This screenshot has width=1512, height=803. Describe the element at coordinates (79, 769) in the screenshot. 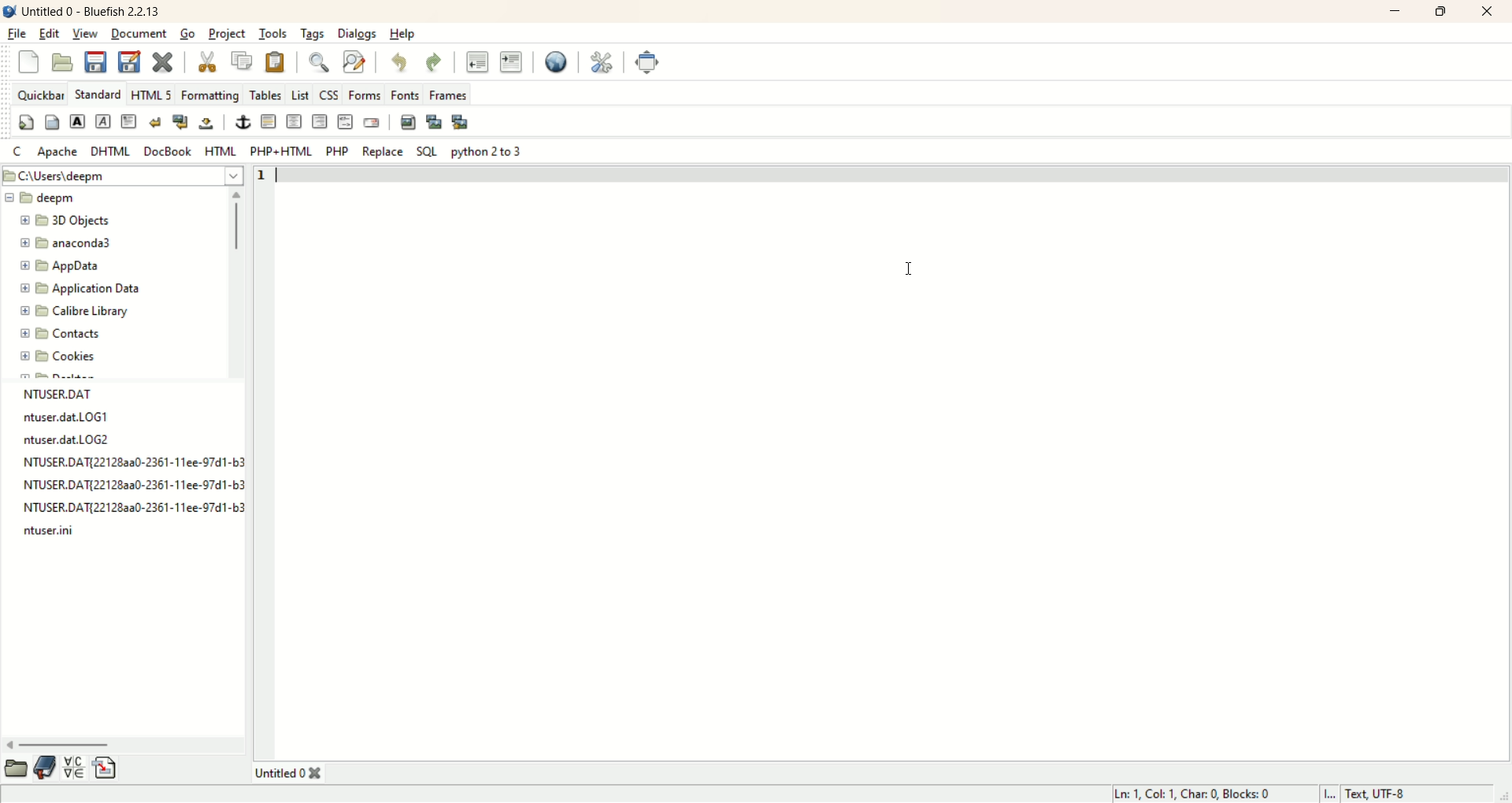

I see `insert character` at that location.